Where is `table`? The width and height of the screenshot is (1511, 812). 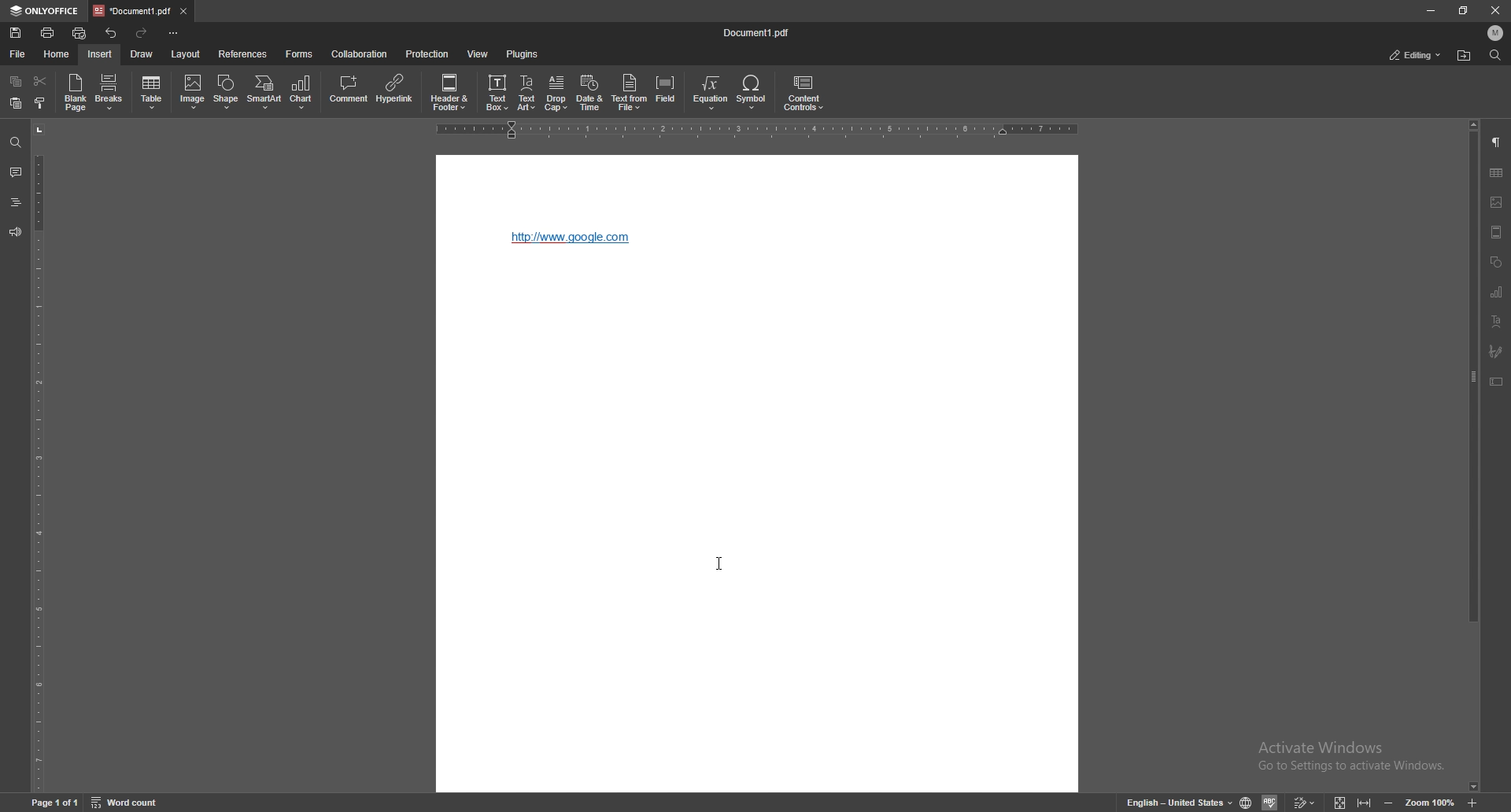
table is located at coordinates (153, 92).